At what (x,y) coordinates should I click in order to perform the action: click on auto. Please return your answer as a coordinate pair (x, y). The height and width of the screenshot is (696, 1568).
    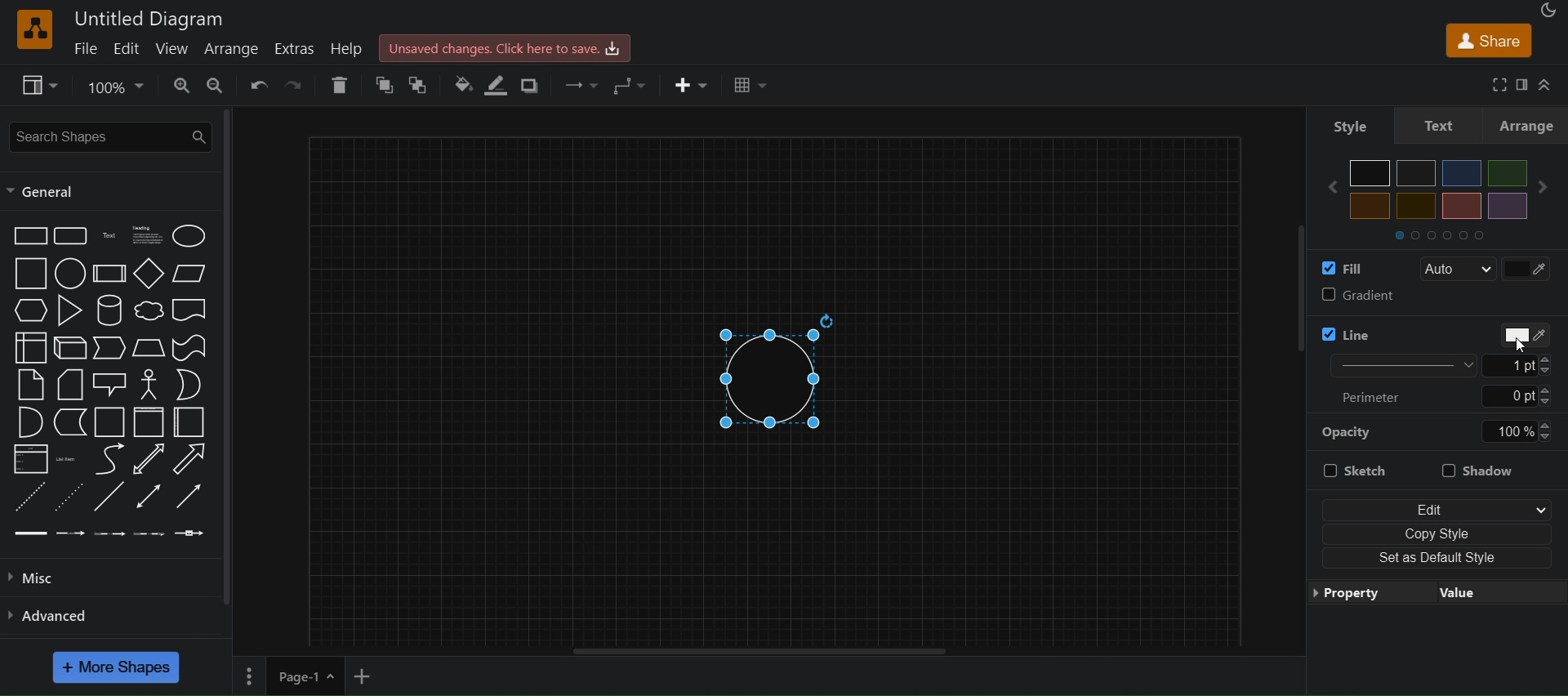
    Looking at the image, I should click on (1457, 270).